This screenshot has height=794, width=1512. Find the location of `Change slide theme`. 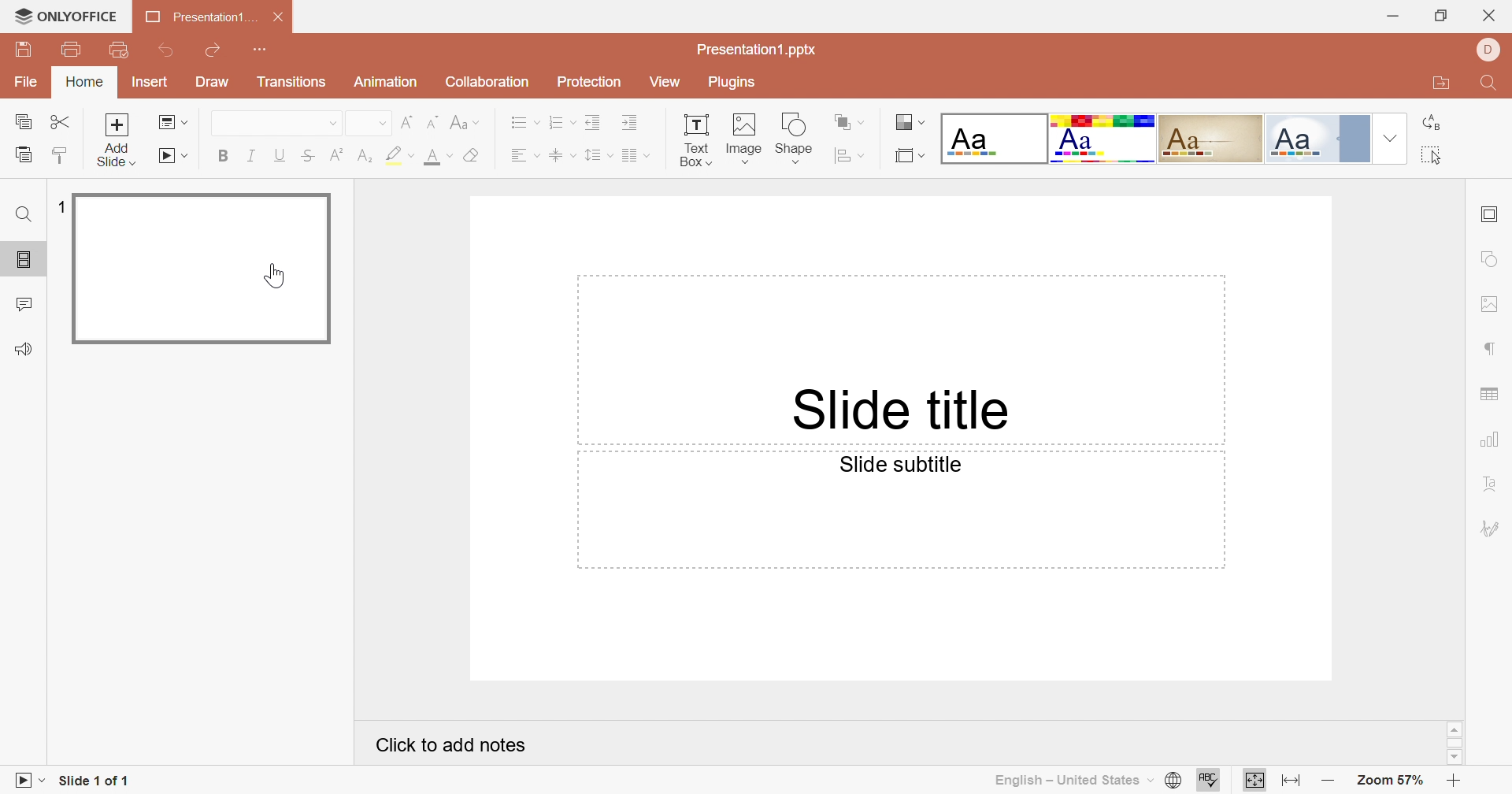

Change slide theme is located at coordinates (902, 119).